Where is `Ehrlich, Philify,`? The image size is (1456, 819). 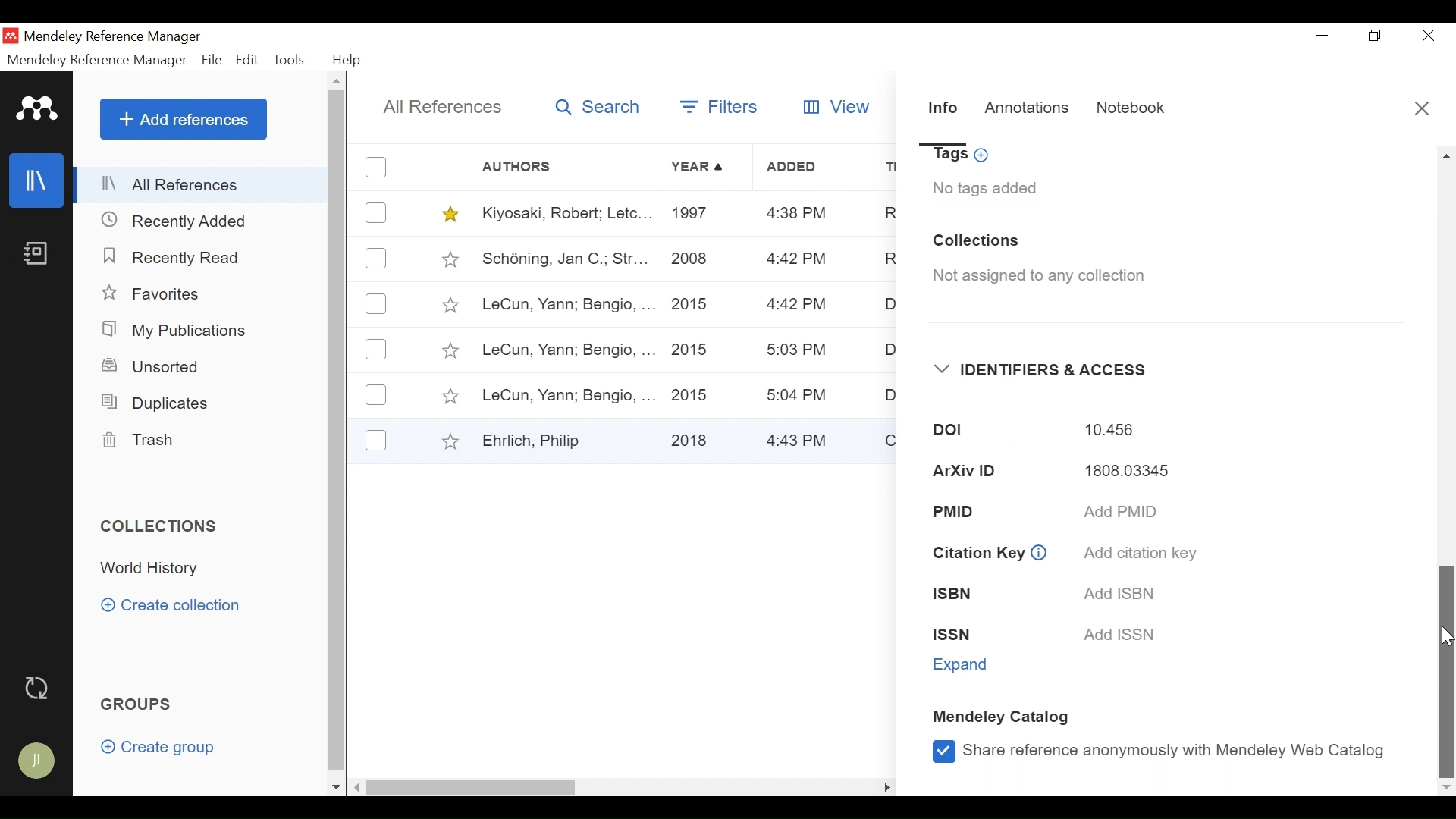
Ehrlich, Philify, is located at coordinates (566, 440).